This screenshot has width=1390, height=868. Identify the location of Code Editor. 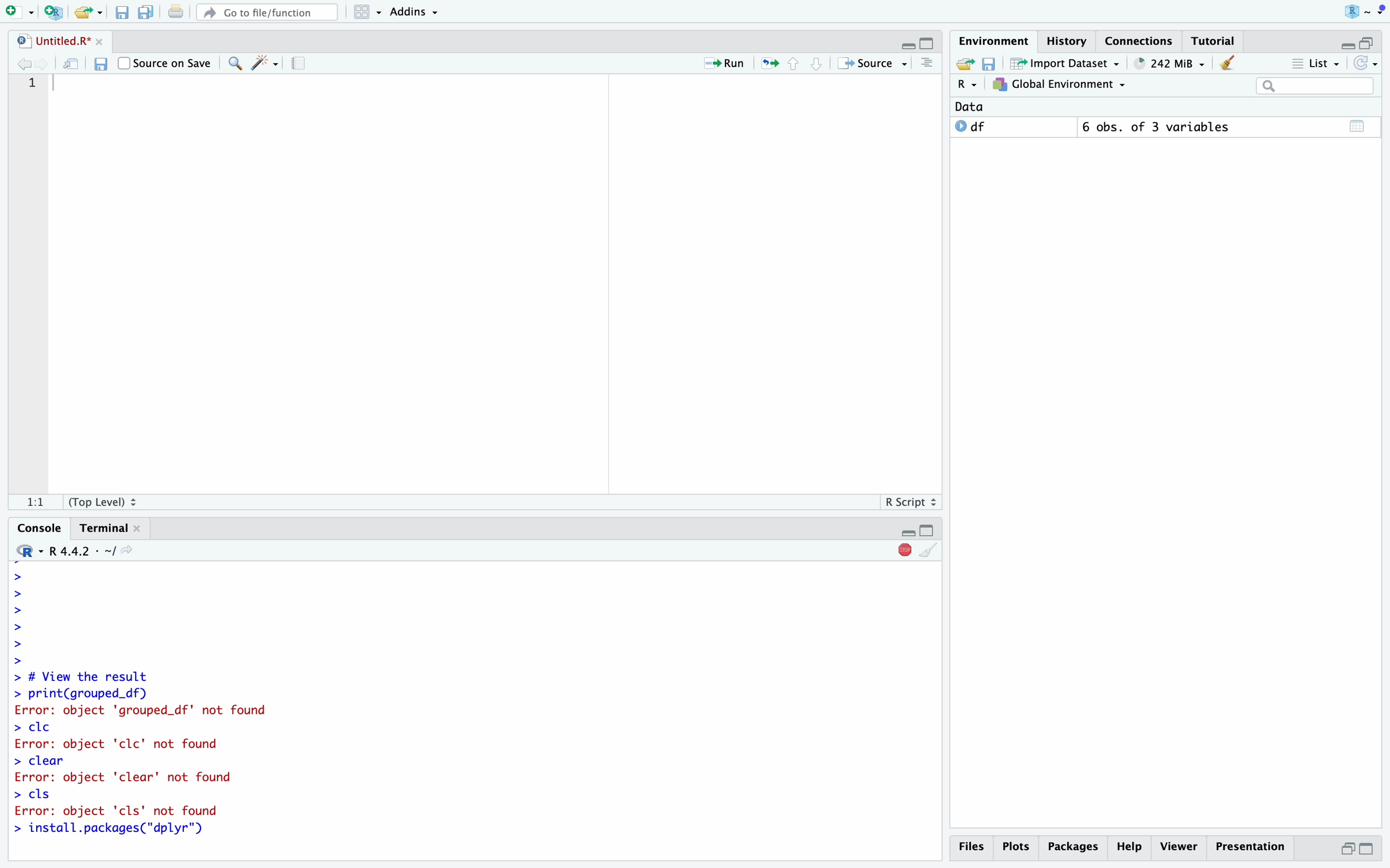
(500, 282).